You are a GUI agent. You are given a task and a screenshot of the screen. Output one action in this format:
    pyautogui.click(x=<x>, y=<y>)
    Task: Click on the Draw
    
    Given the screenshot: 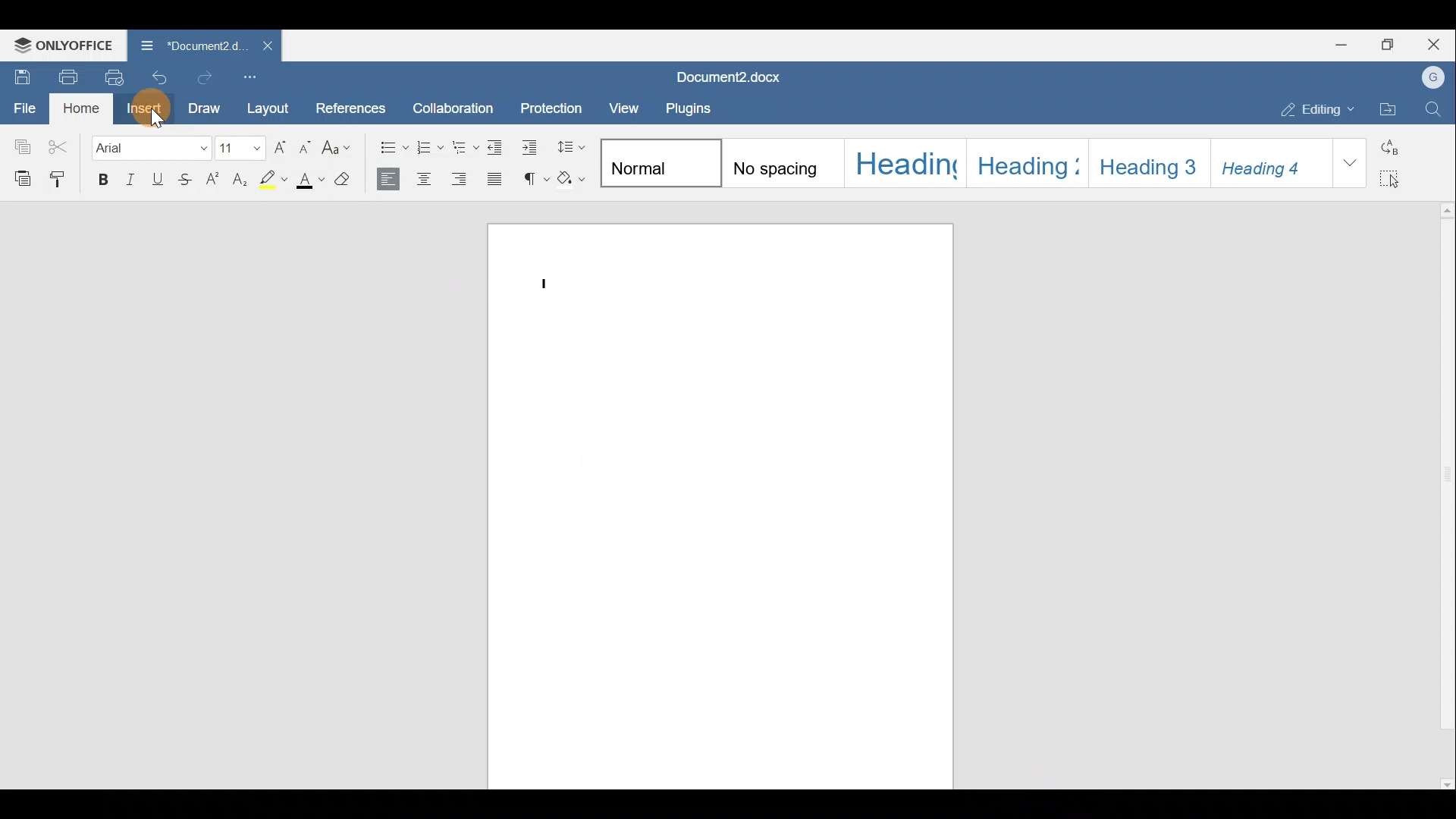 What is the action you would take?
    pyautogui.click(x=206, y=110)
    